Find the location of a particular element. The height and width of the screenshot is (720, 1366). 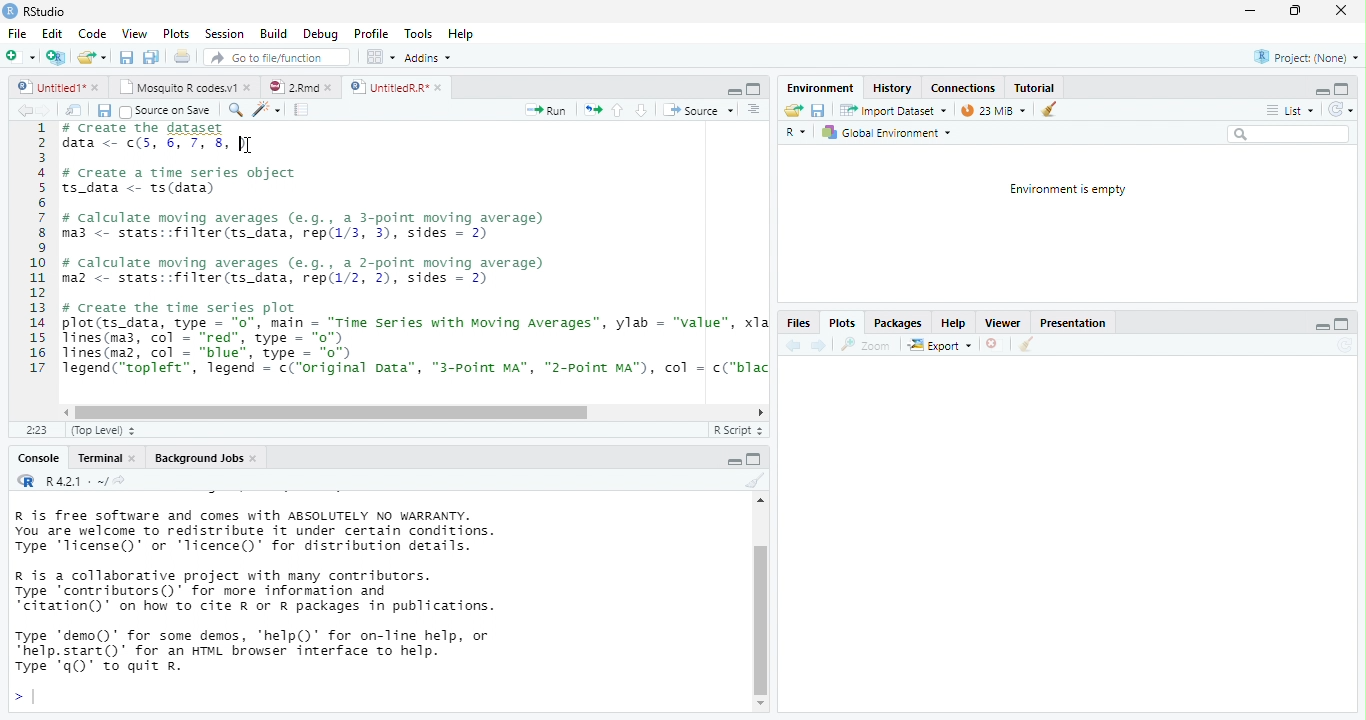

Project: (None) is located at coordinates (1307, 58).